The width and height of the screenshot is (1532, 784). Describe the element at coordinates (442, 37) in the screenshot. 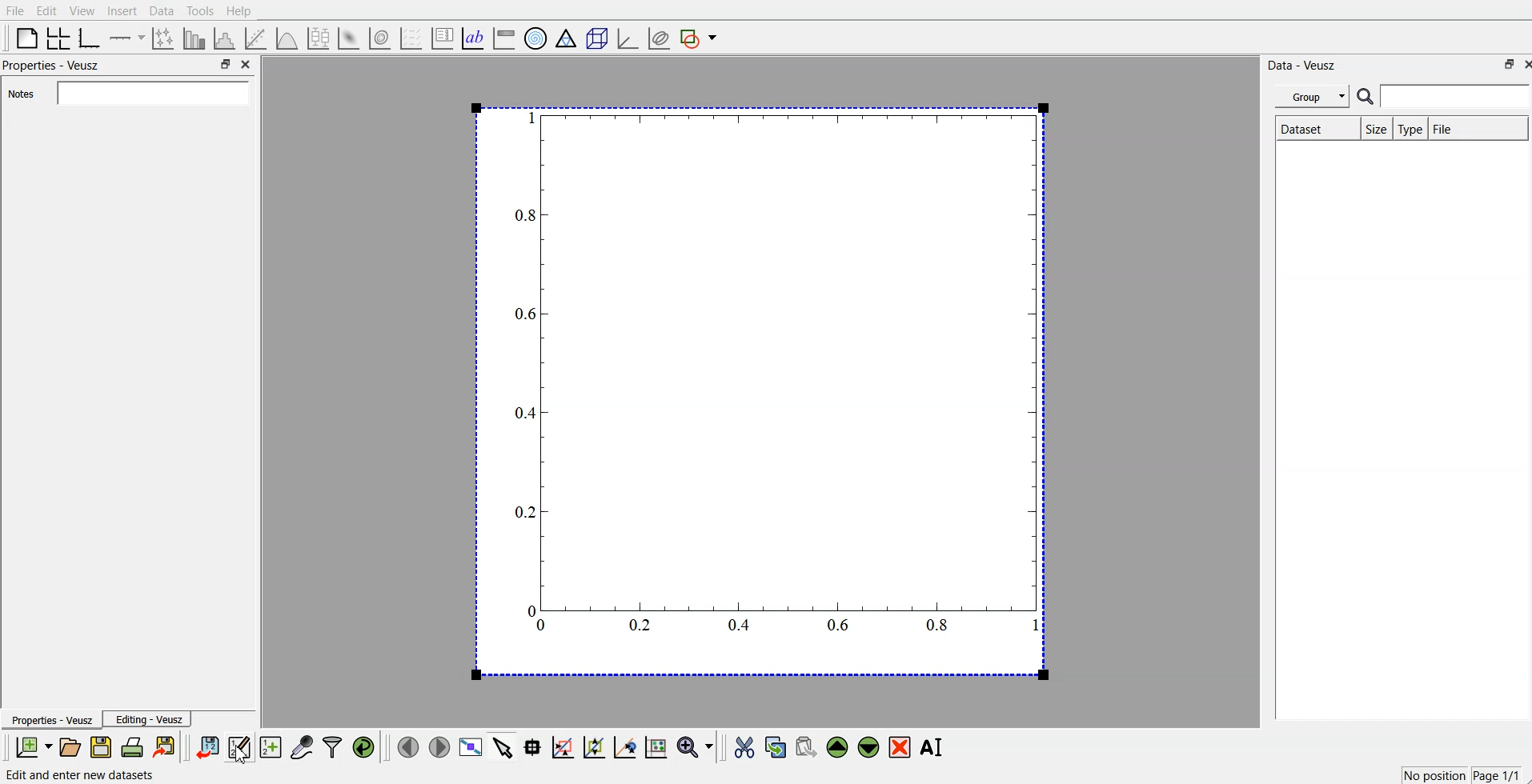

I see `plot key` at that location.